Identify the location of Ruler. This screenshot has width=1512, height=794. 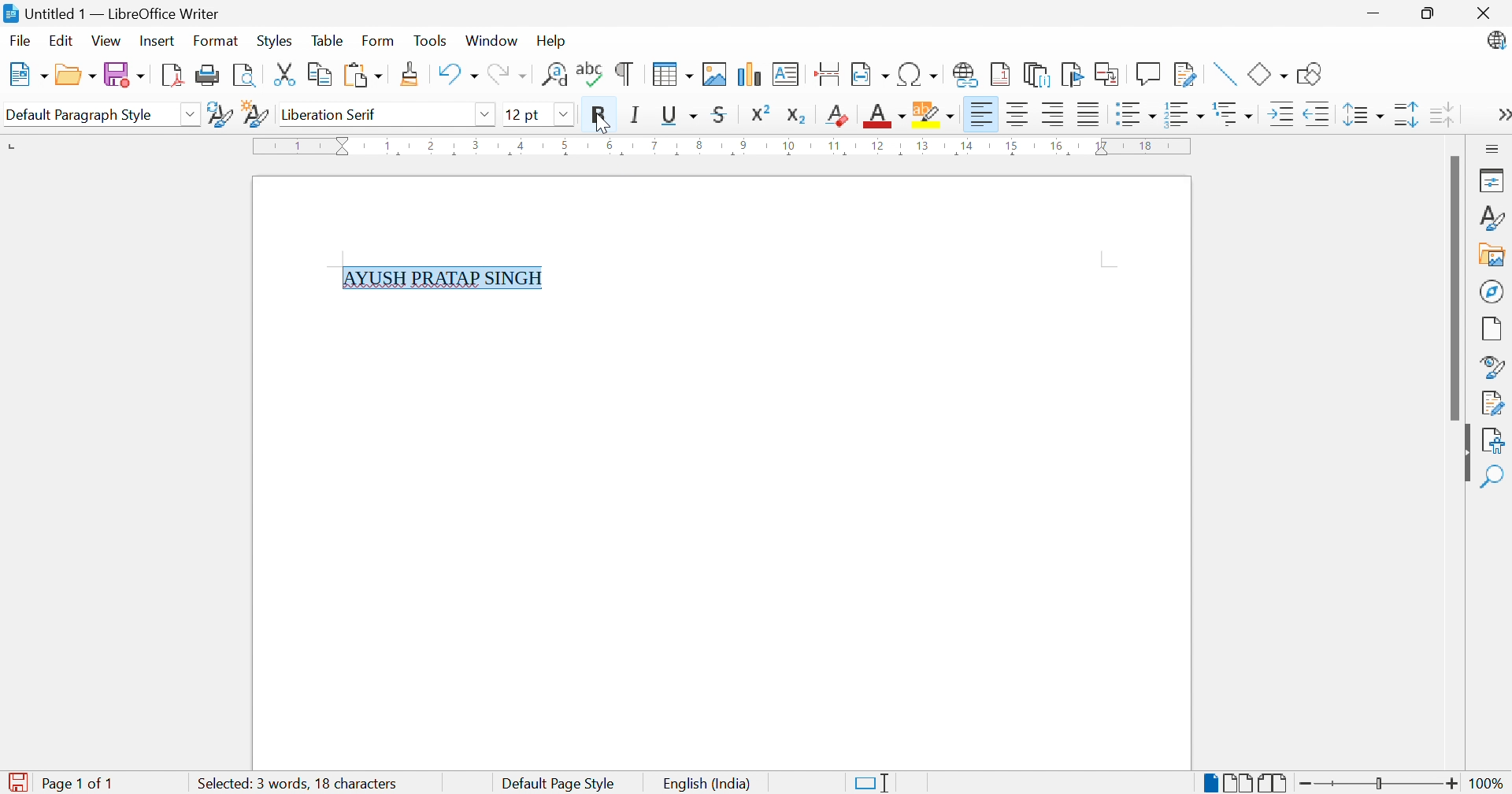
(725, 148).